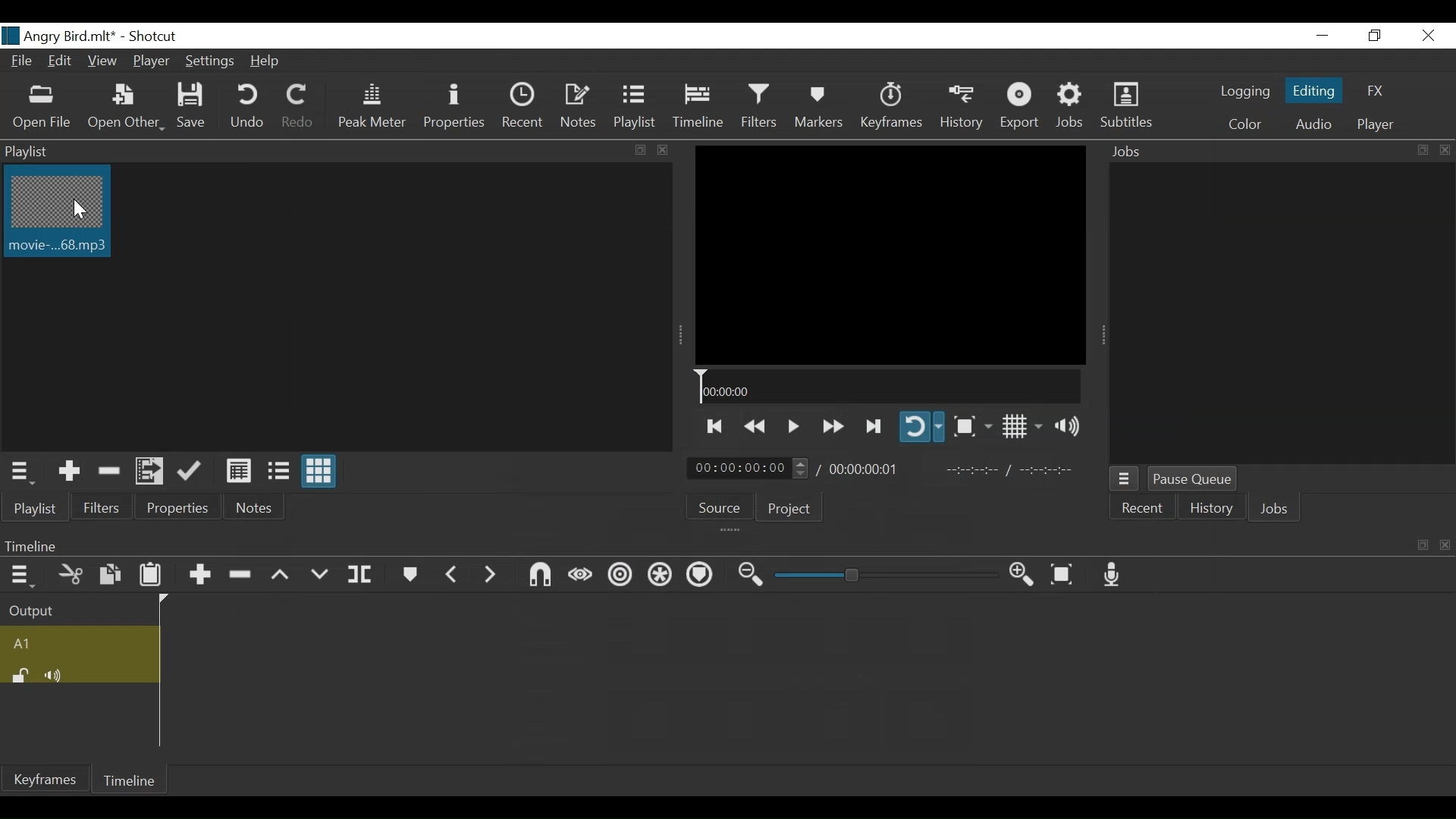  I want to click on Timeline menu, so click(19, 574).